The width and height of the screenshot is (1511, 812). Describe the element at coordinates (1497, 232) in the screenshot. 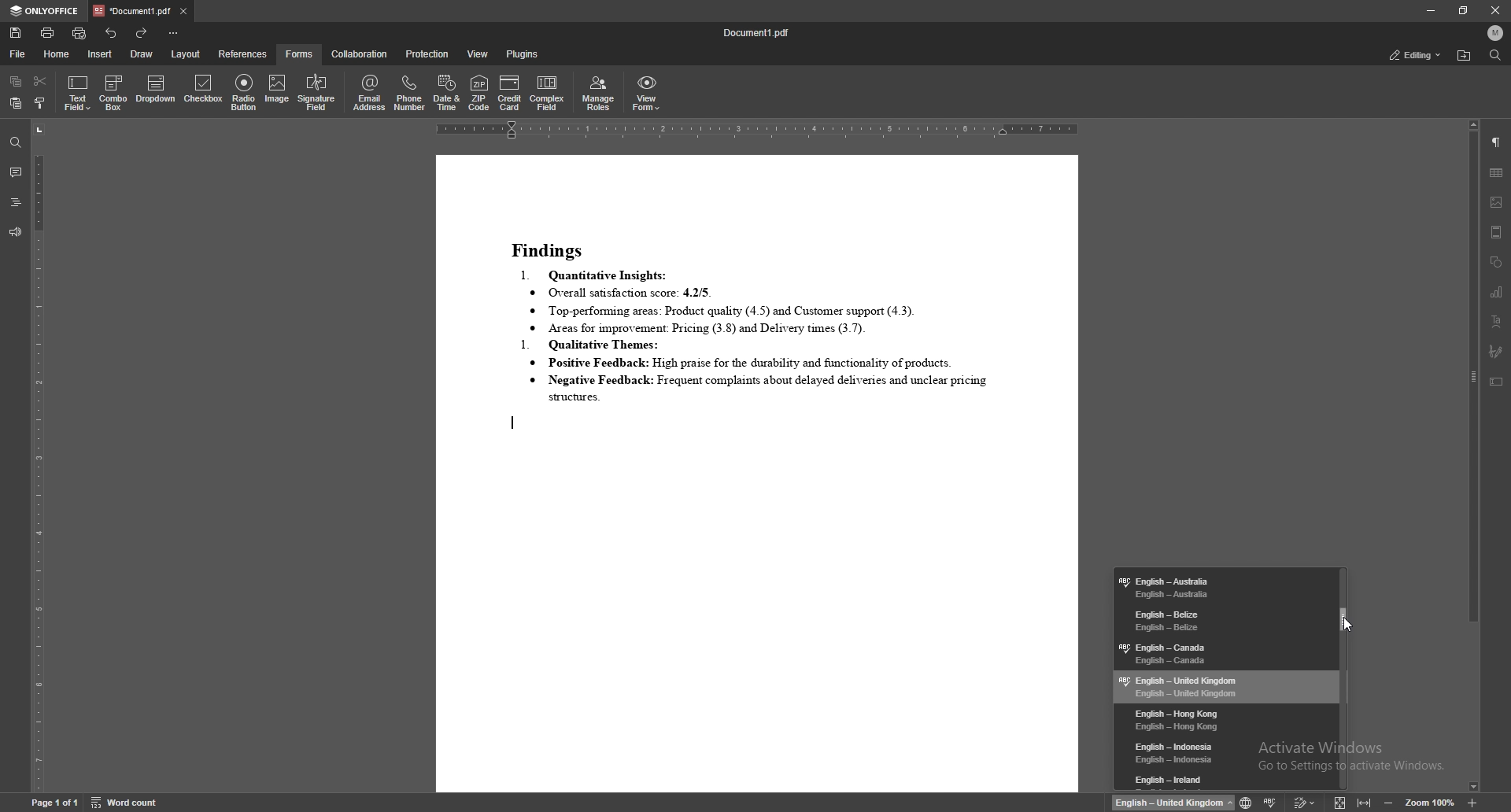

I see `header and footer` at that location.